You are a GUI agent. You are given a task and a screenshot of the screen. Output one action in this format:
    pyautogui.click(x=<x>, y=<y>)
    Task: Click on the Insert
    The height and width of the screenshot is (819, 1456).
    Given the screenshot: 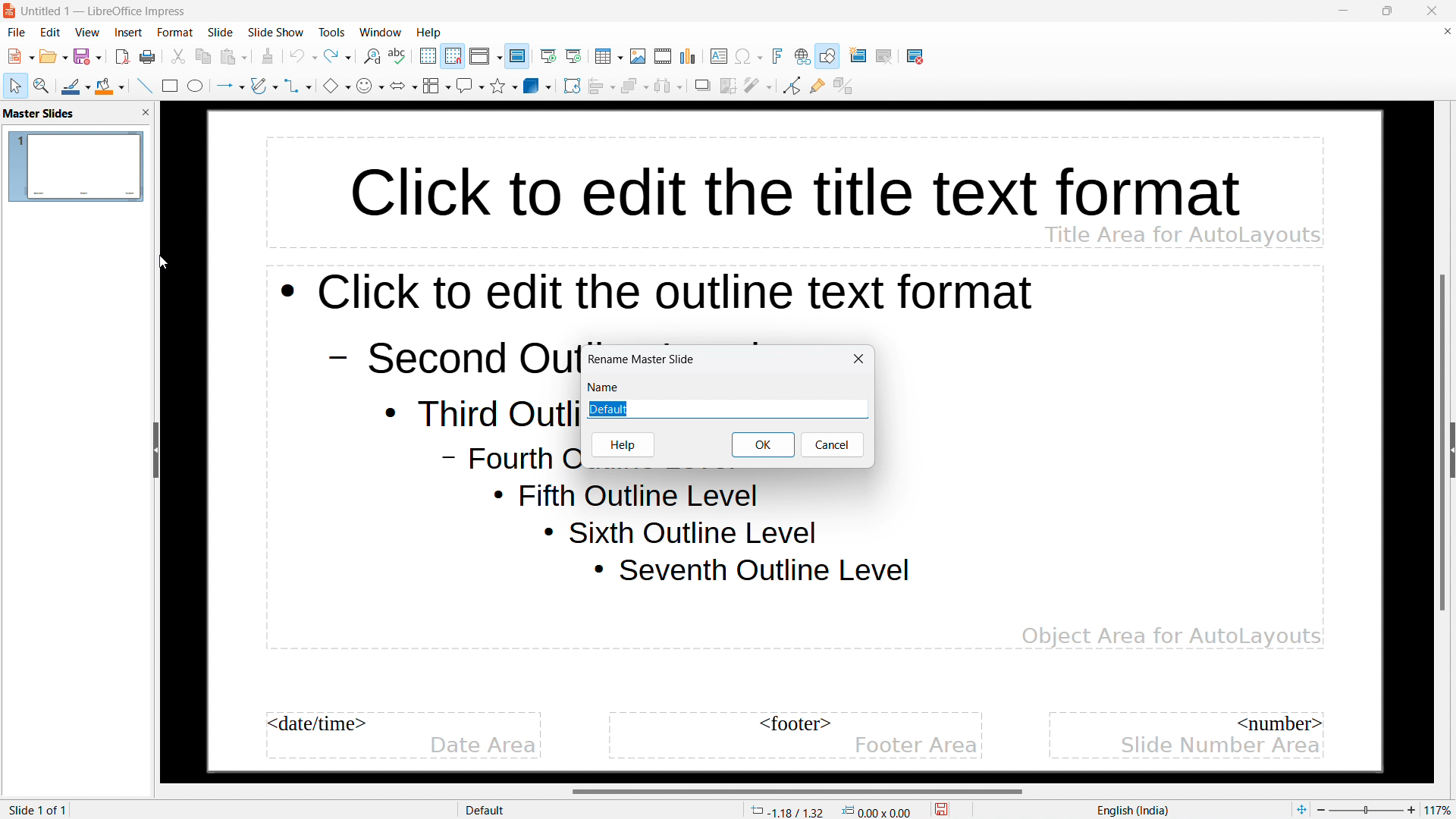 What is the action you would take?
    pyautogui.click(x=130, y=34)
    